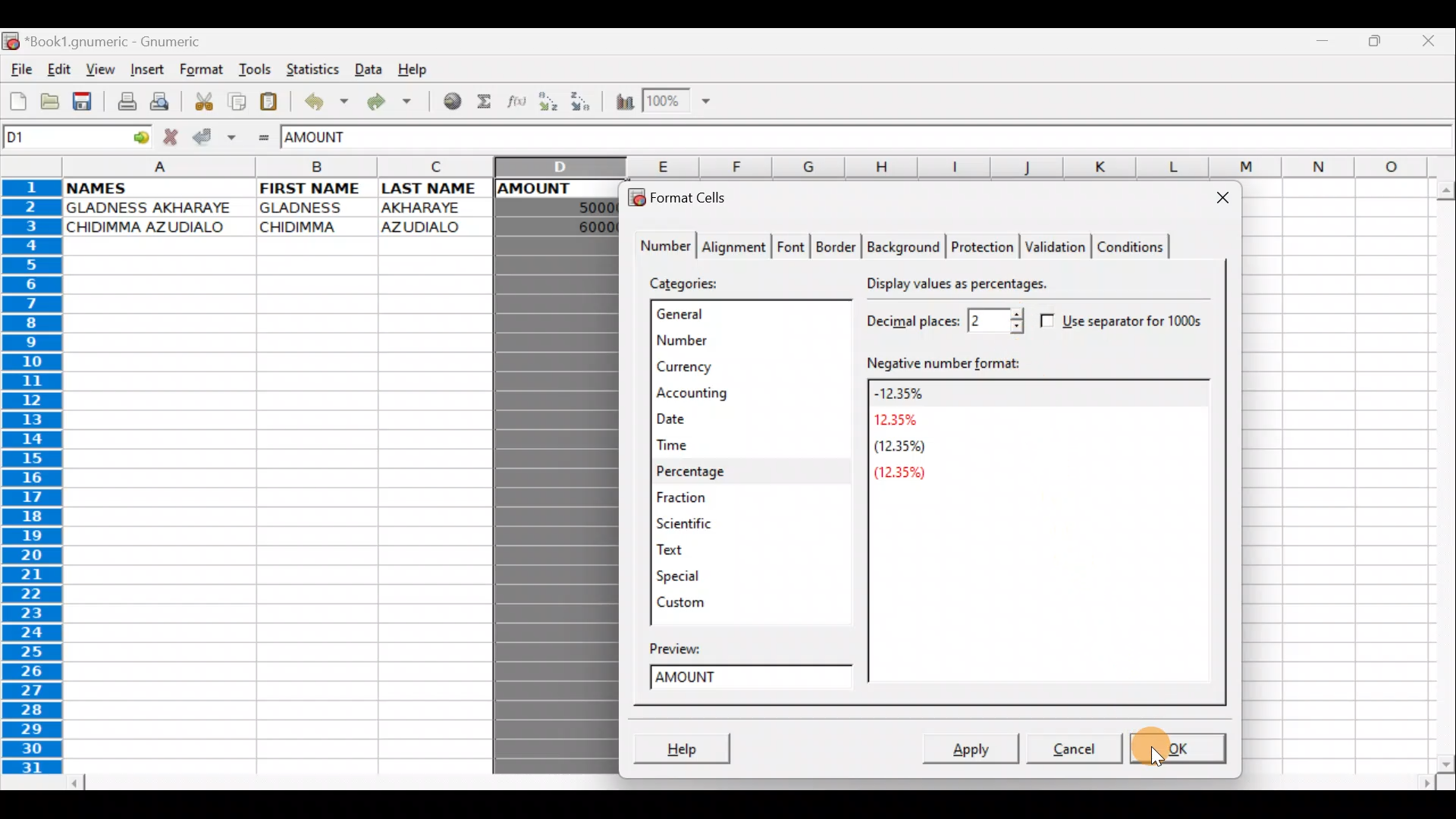  Describe the element at coordinates (46, 104) in the screenshot. I see `Open a file` at that location.